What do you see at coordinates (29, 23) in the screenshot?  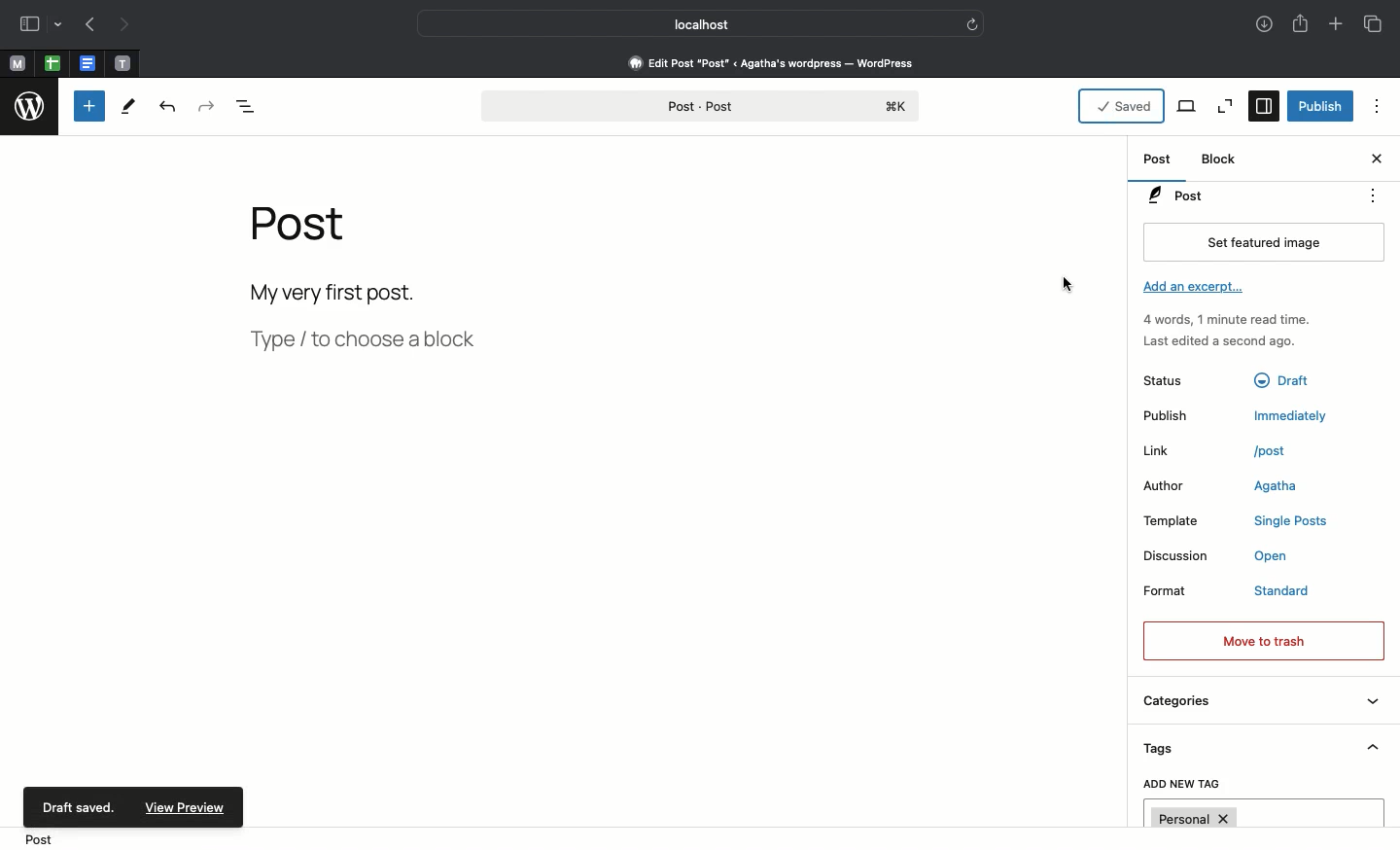 I see `Sidebar` at bounding box center [29, 23].